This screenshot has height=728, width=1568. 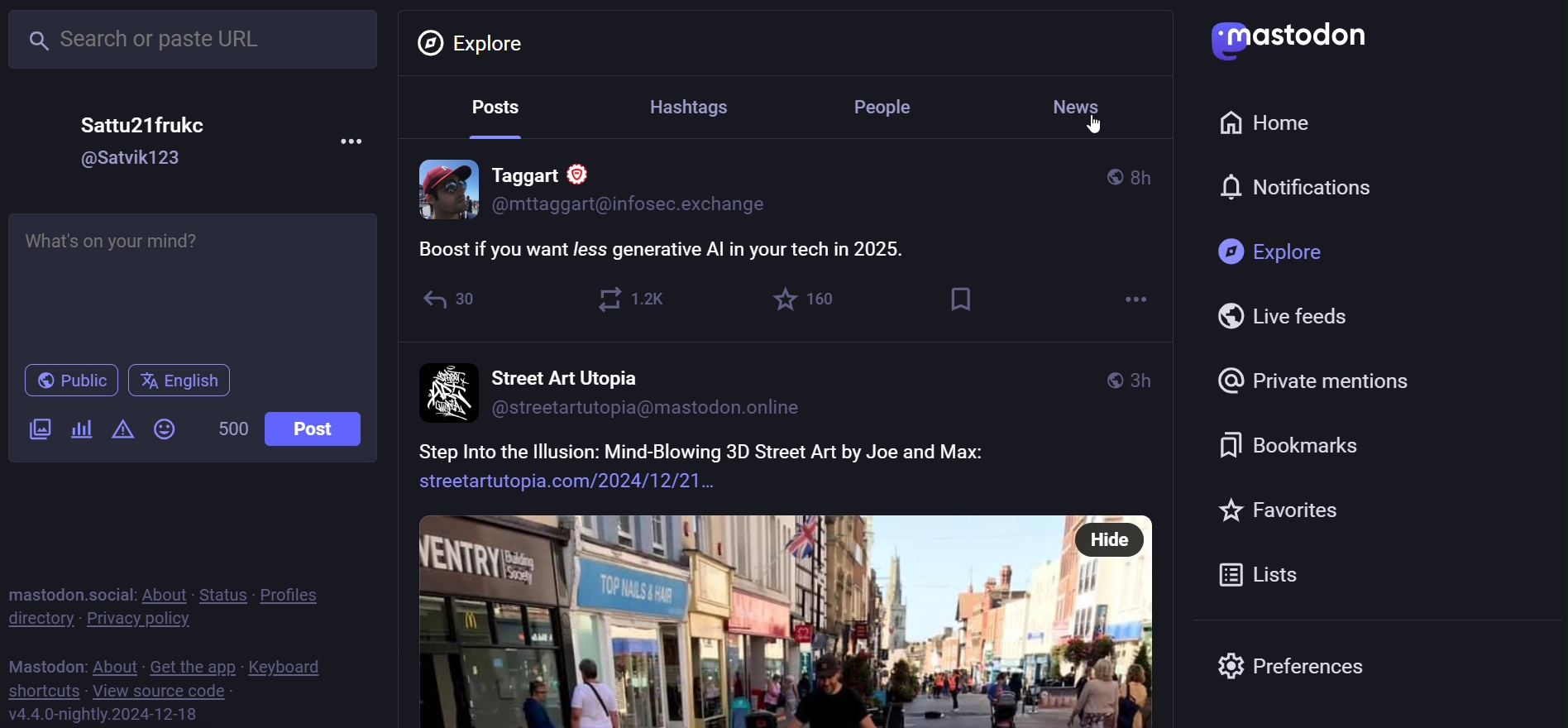 What do you see at coordinates (1111, 539) in the screenshot?
I see `hide` at bounding box center [1111, 539].